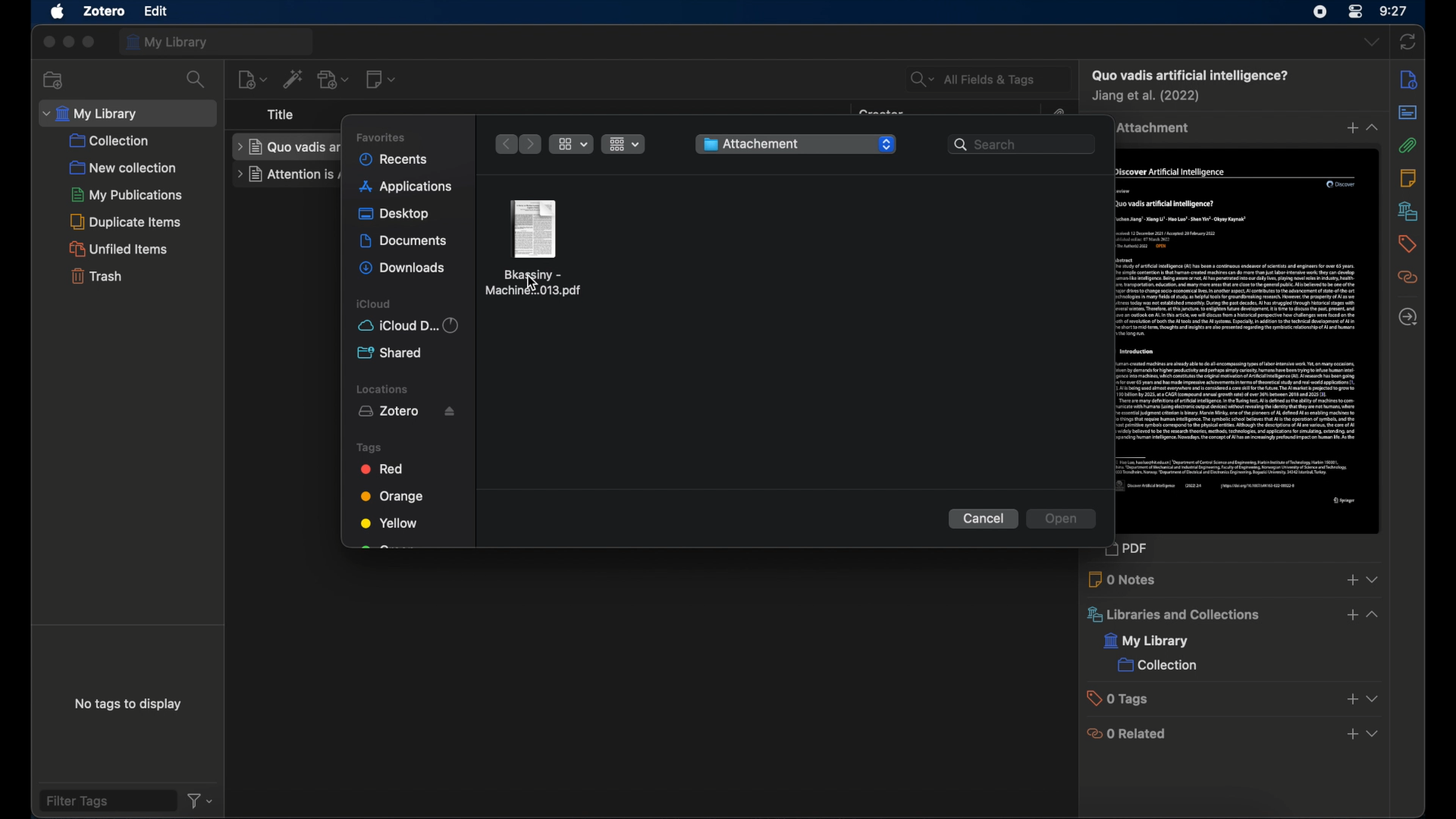 Image resolution: width=1456 pixels, height=819 pixels. What do you see at coordinates (1407, 112) in the screenshot?
I see `abstract` at bounding box center [1407, 112].